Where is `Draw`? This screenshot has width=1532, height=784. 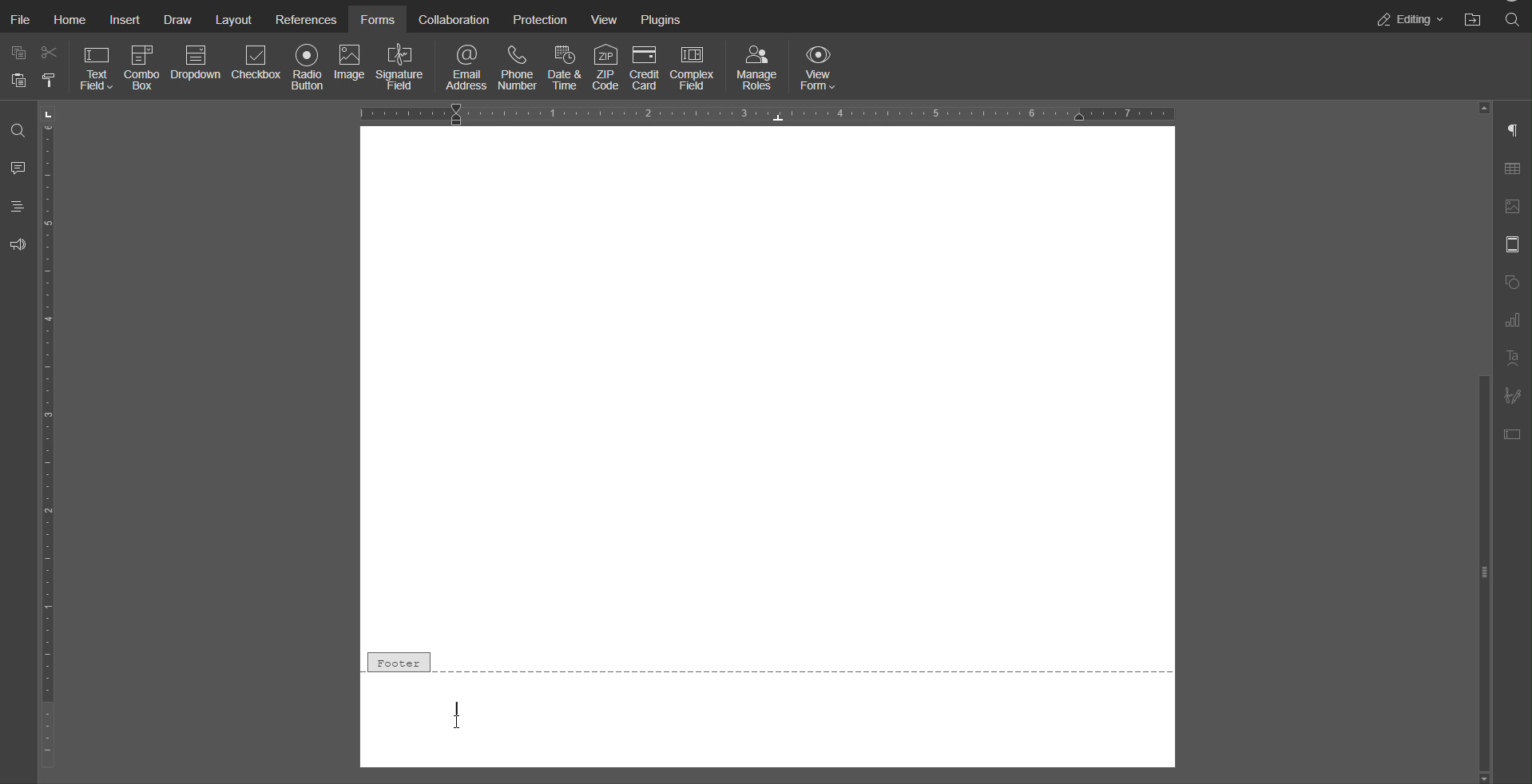 Draw is located at coordinates (183, 18).